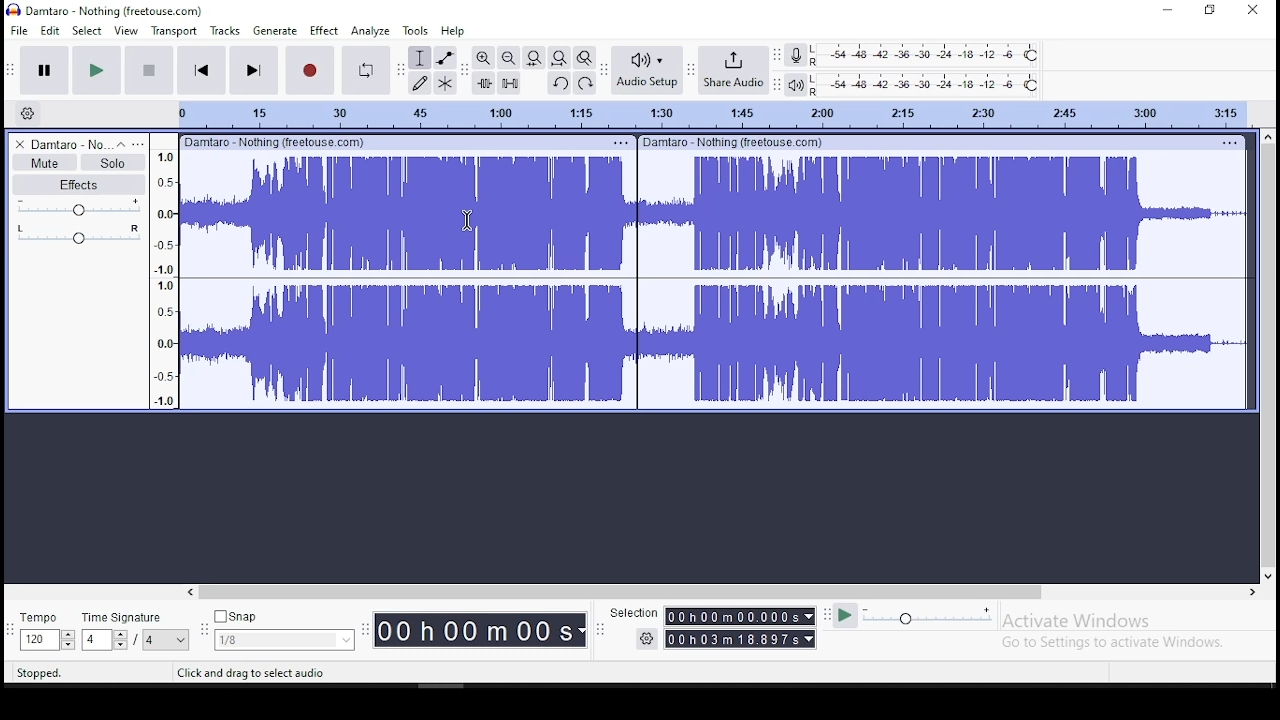 The width and height of the screenshot is (1280, 720). Describe the element at coordinates (740, 639) in the screenshot. I see `time menu` at that location.